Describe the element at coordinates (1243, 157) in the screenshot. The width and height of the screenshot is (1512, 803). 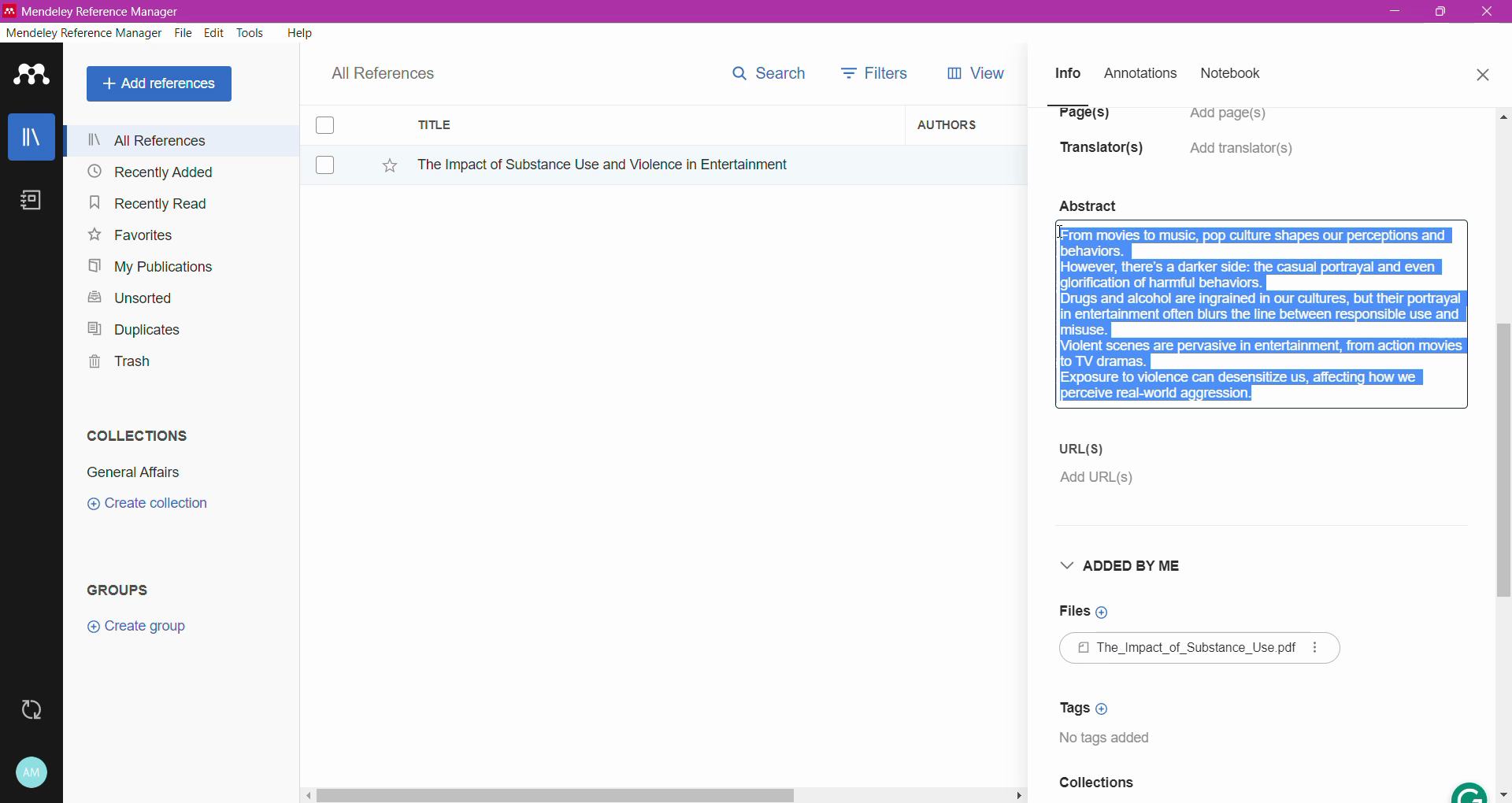
I see `Click to Add translators` at that location.